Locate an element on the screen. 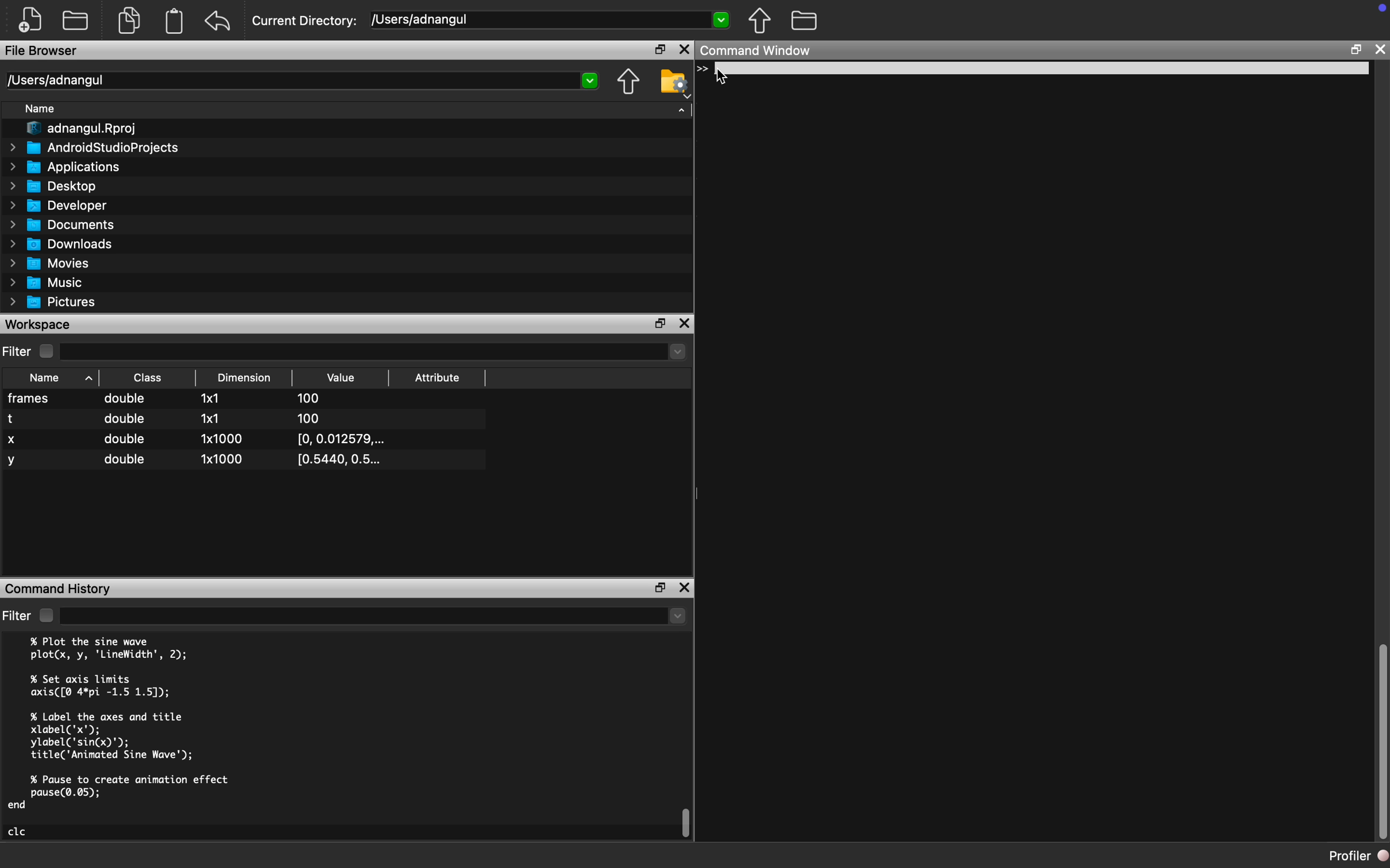 The height and width of the screenshot is (868, 1390). Cursor is located at coordinates (731, 75).